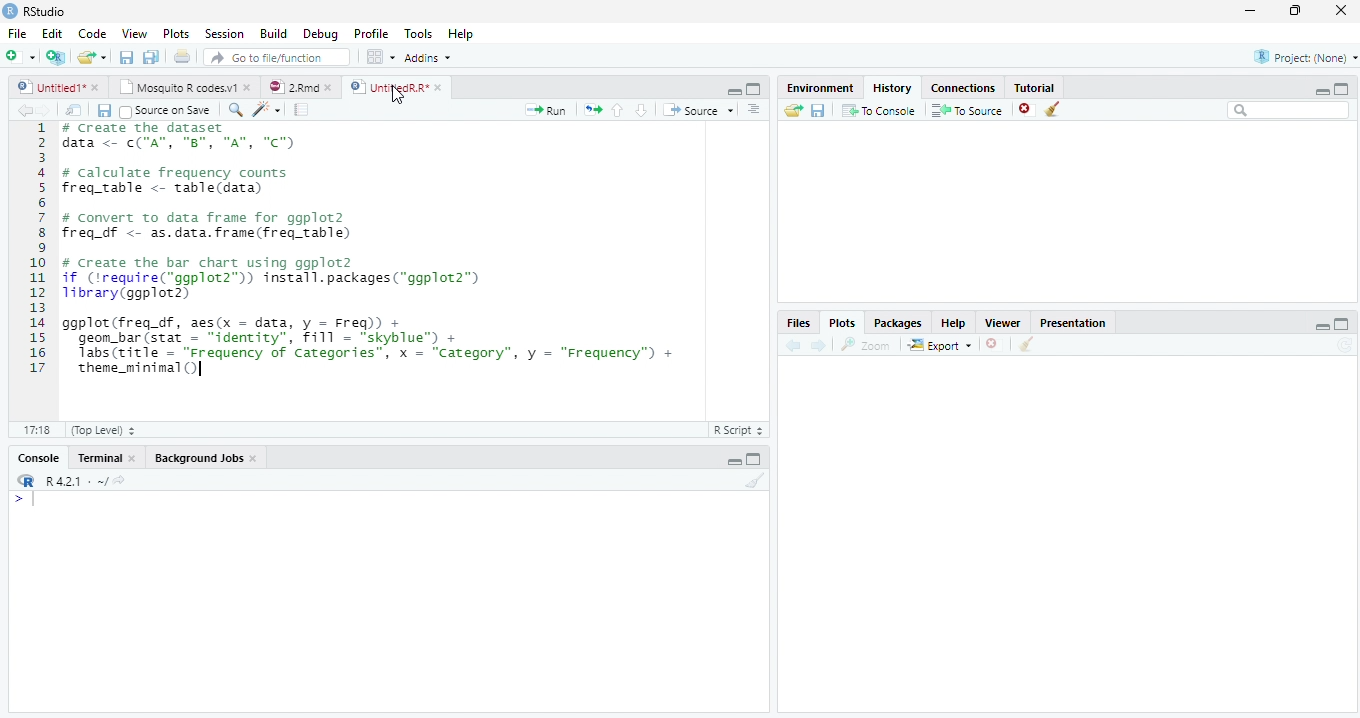  What do you see at coordinates (184, 90) in the screenshot?
I see `Mosquito R codes1` at bounding box center [184, 90].